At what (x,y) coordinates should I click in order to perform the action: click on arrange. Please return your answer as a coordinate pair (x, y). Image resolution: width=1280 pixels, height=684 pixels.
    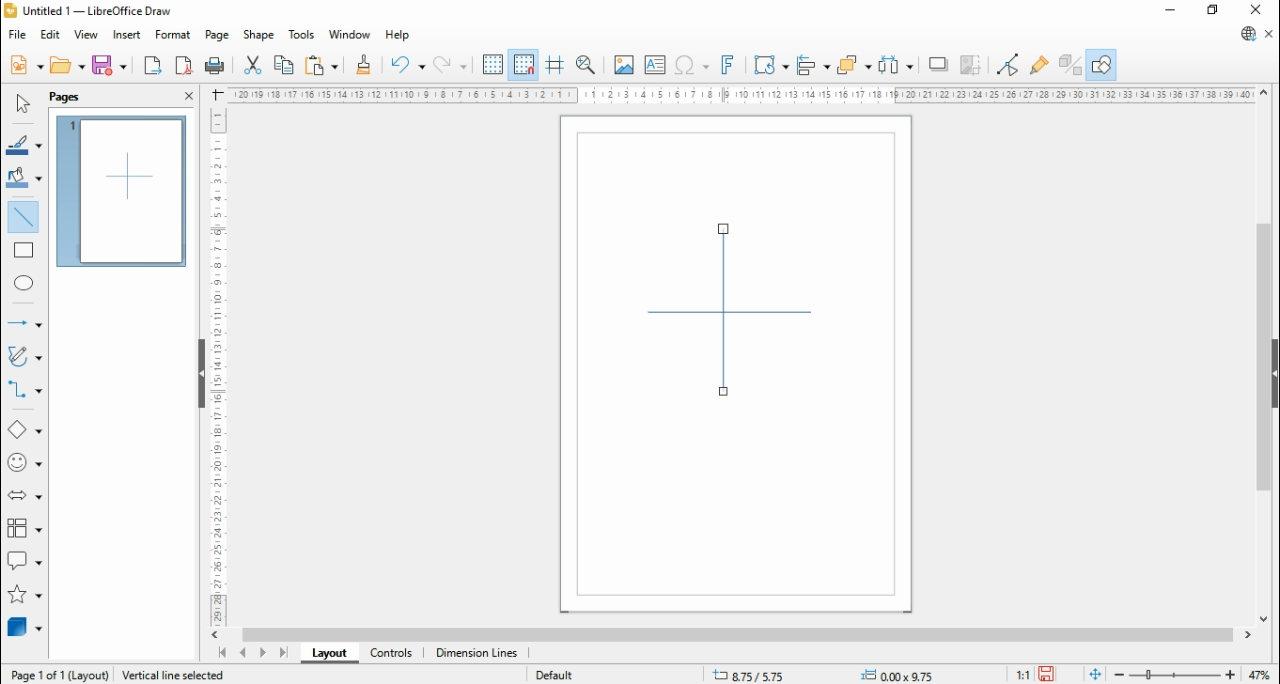
    Looking at the image, I should click on (856, 63).